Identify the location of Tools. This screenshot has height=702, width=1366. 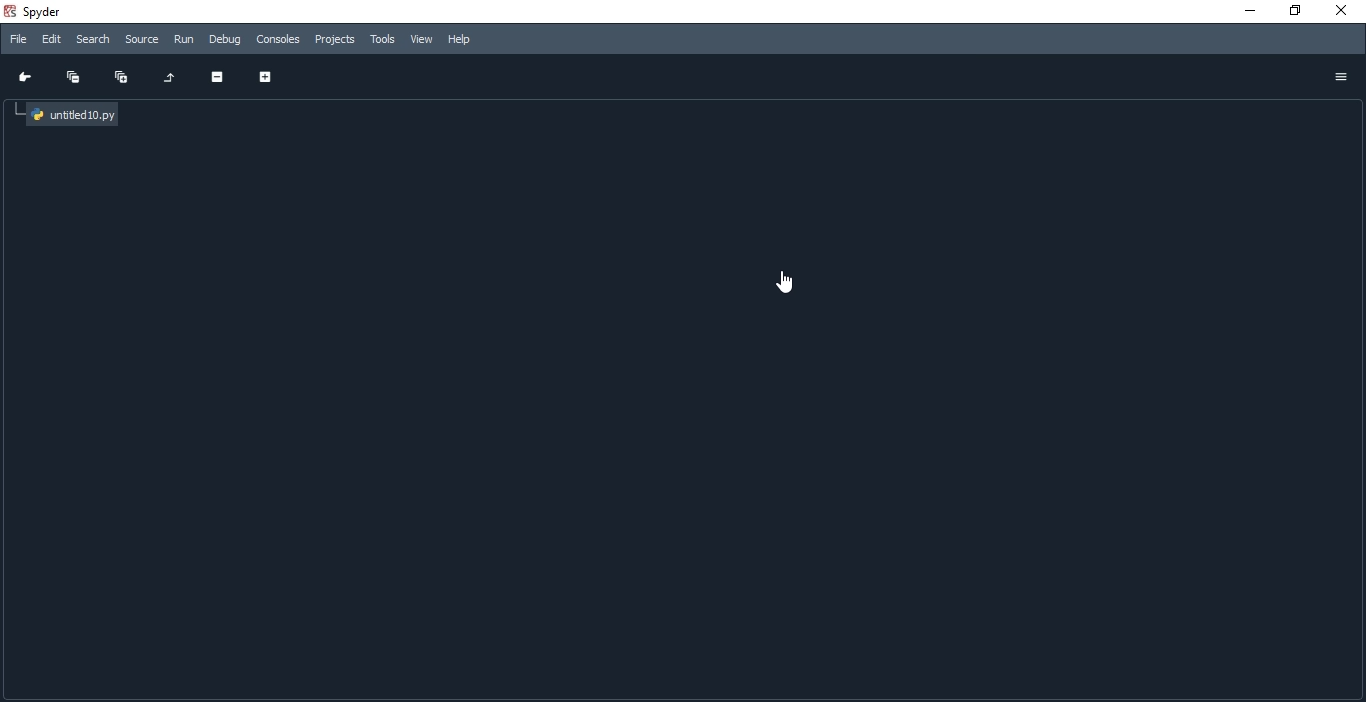
(381, 38).